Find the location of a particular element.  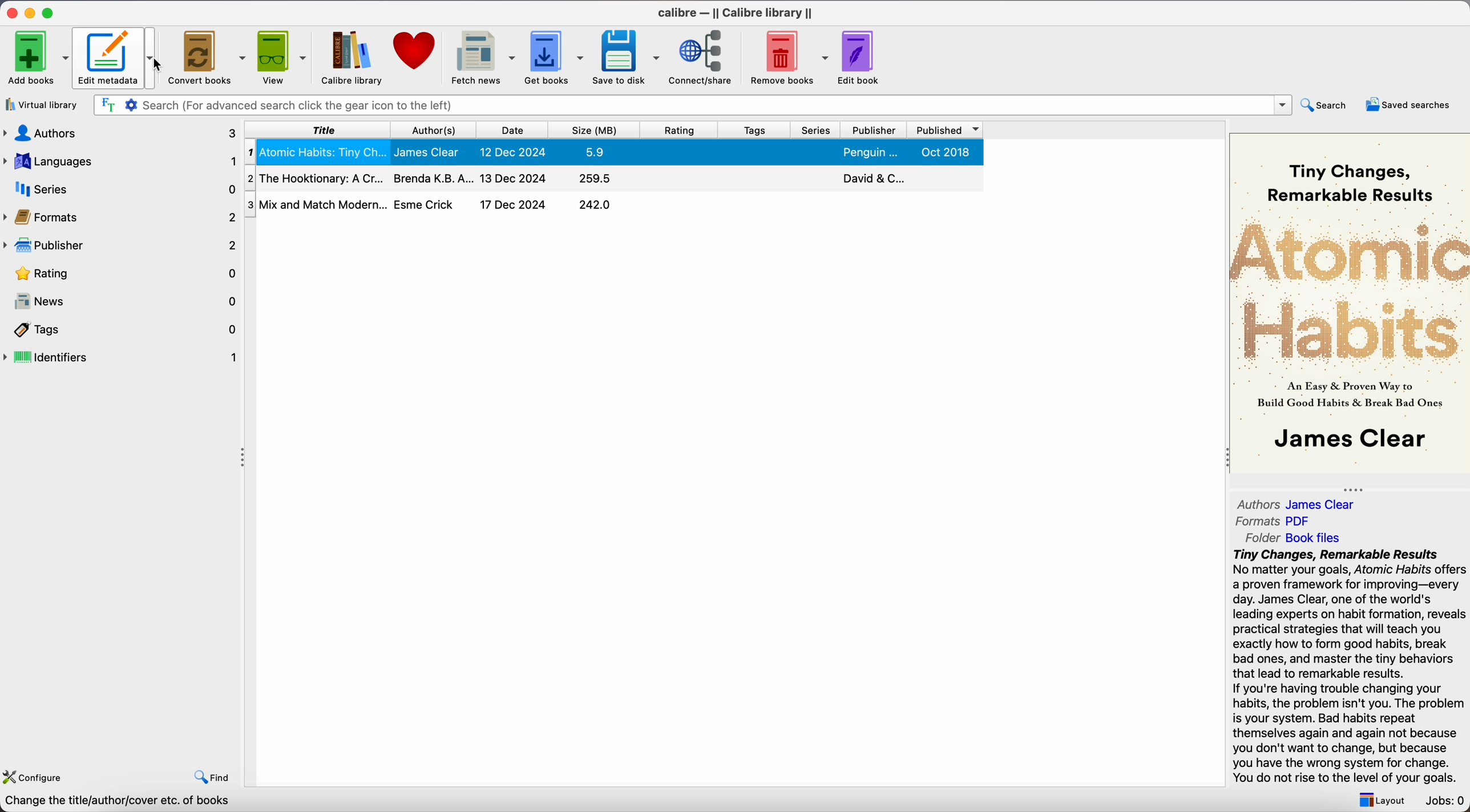

languages is located at coordinates (120, 160).